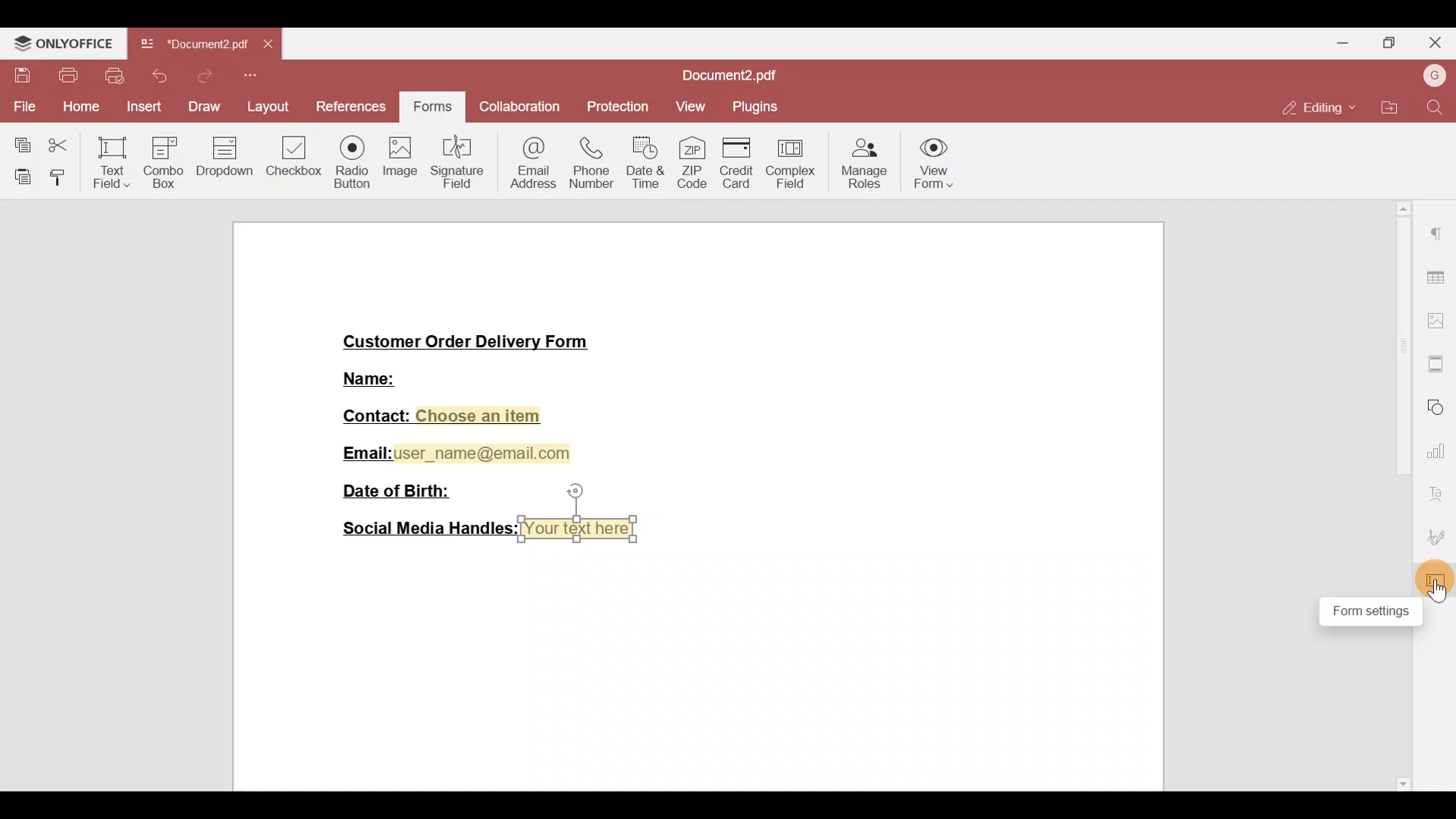  Describe the element at coordinates (17, 76) in the screenshot. I see `Save` at that location.